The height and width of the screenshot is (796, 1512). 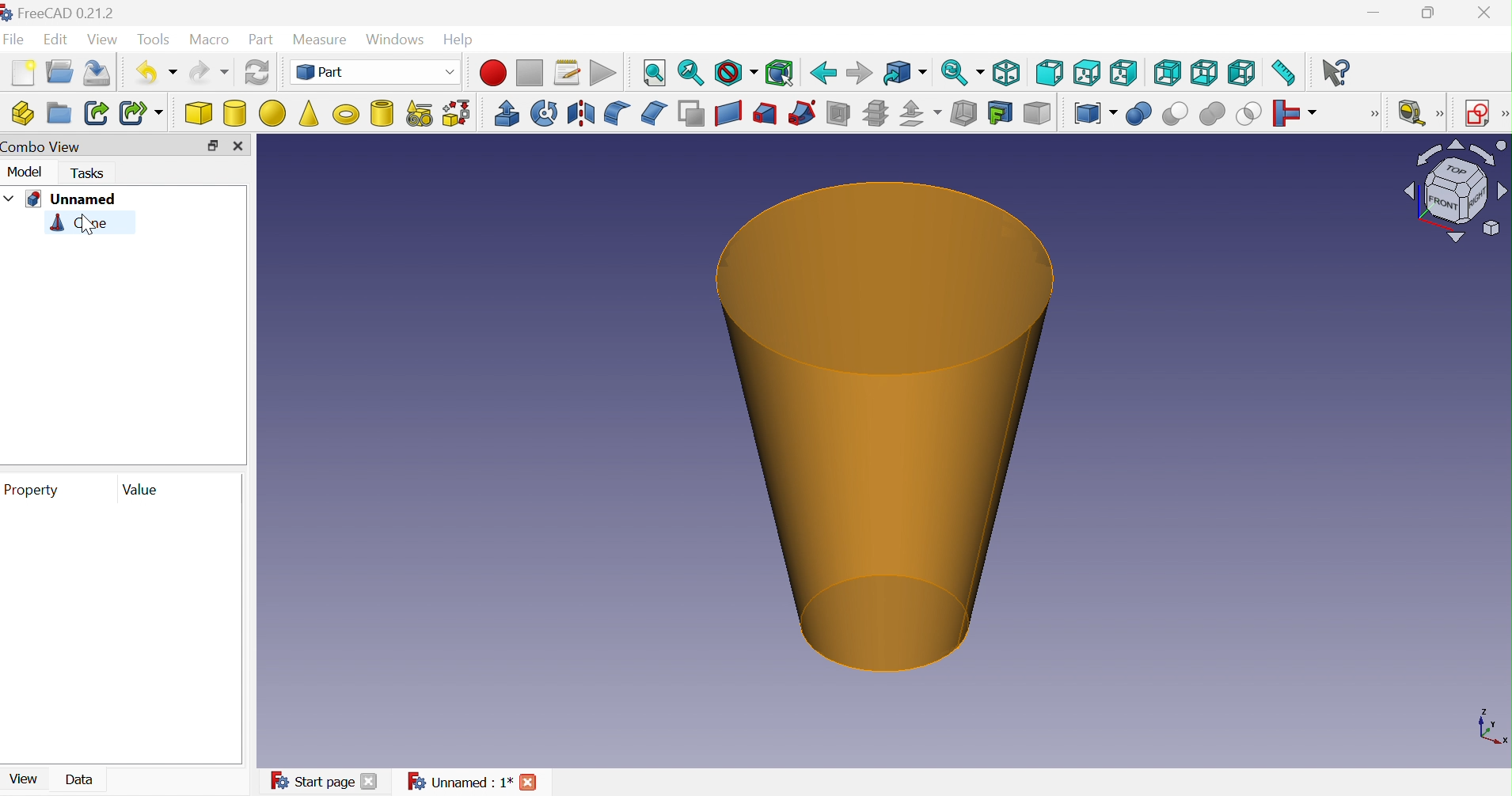 What do you see at coordinates (25, 72) in the screenshot?
I see `New` at bounding box center [25, 72].